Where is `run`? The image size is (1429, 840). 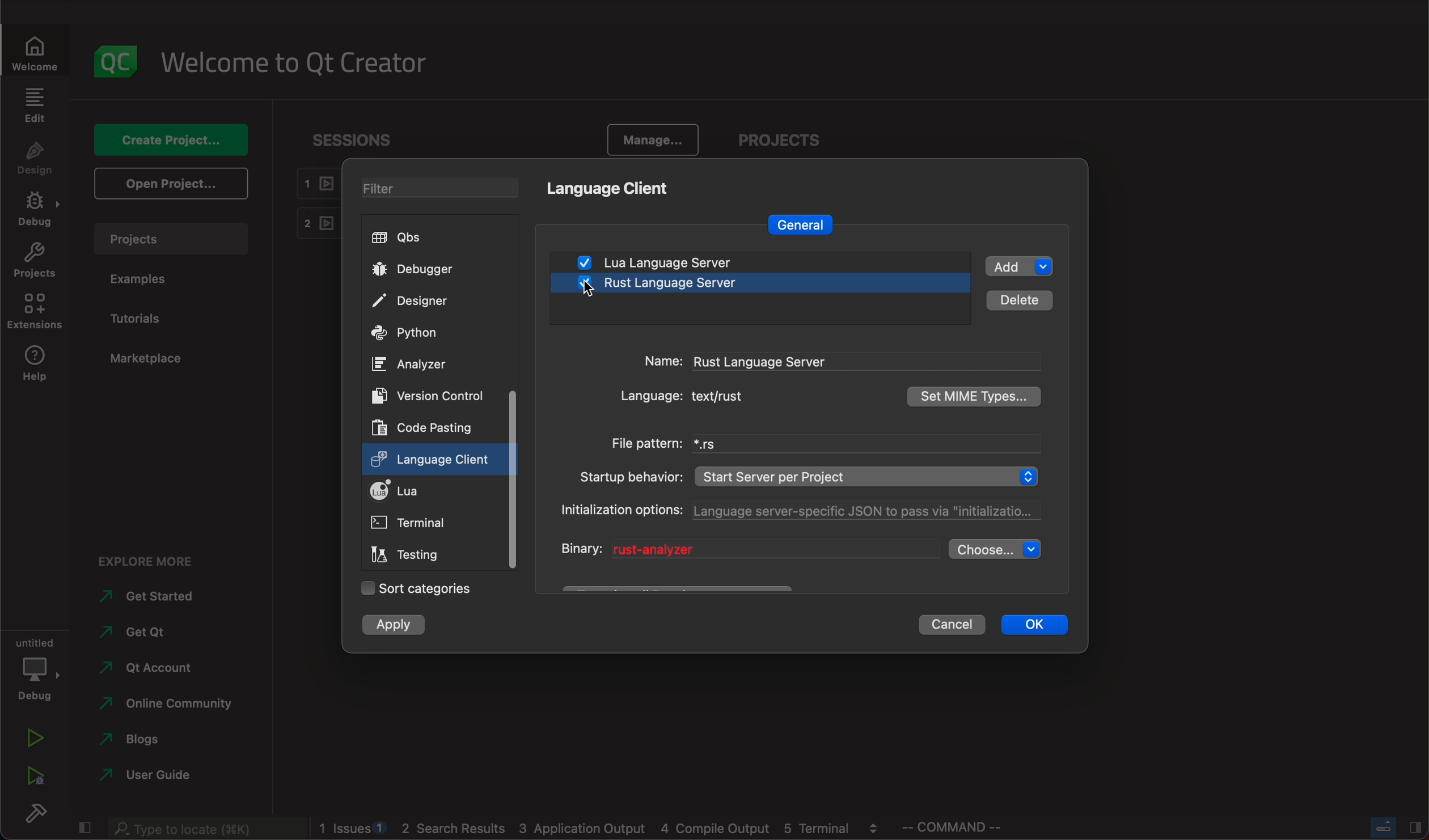
run is located at coordinates (36, 737).